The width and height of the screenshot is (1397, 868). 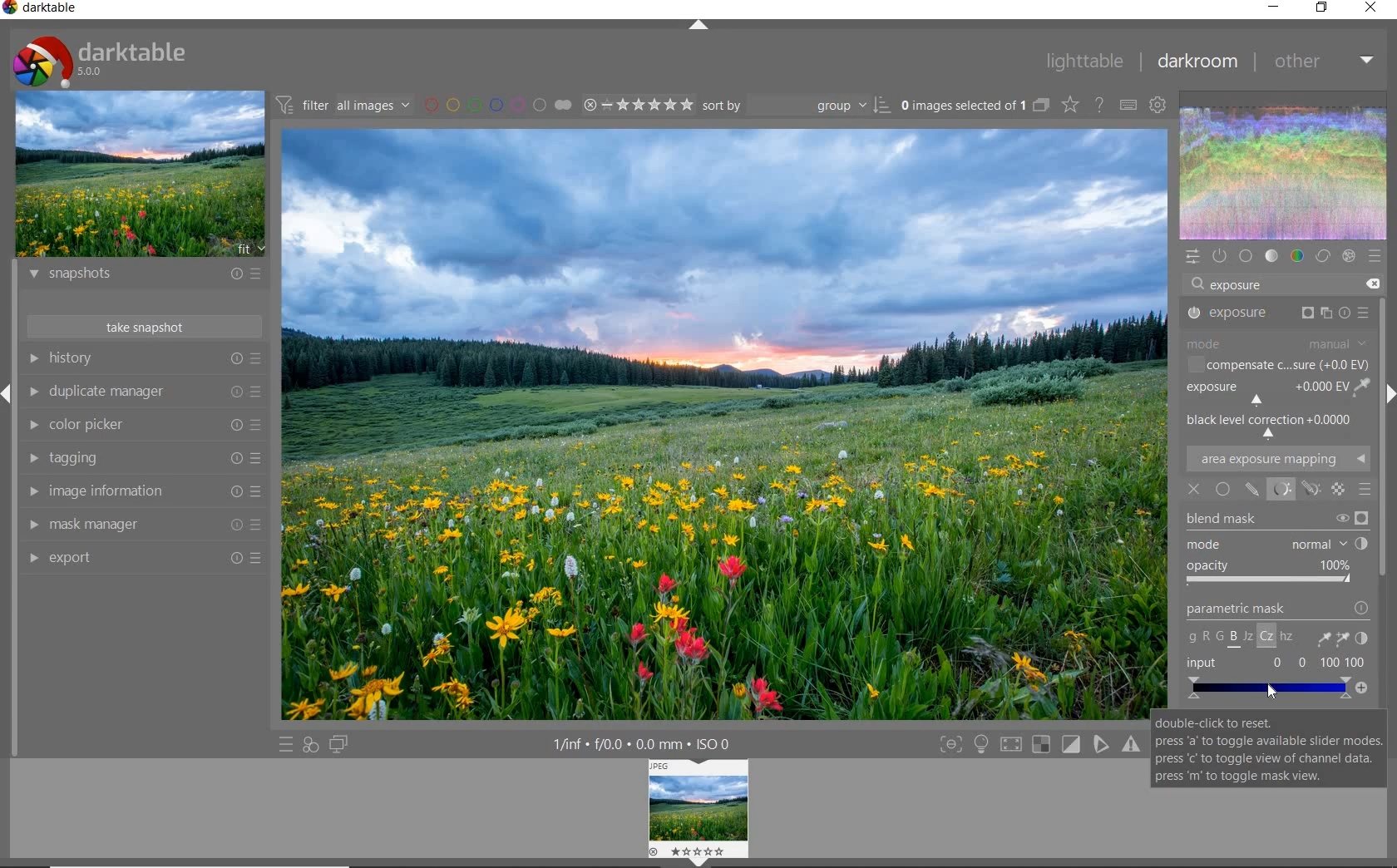 I want to click on correct, so click(x=1323, y=257).